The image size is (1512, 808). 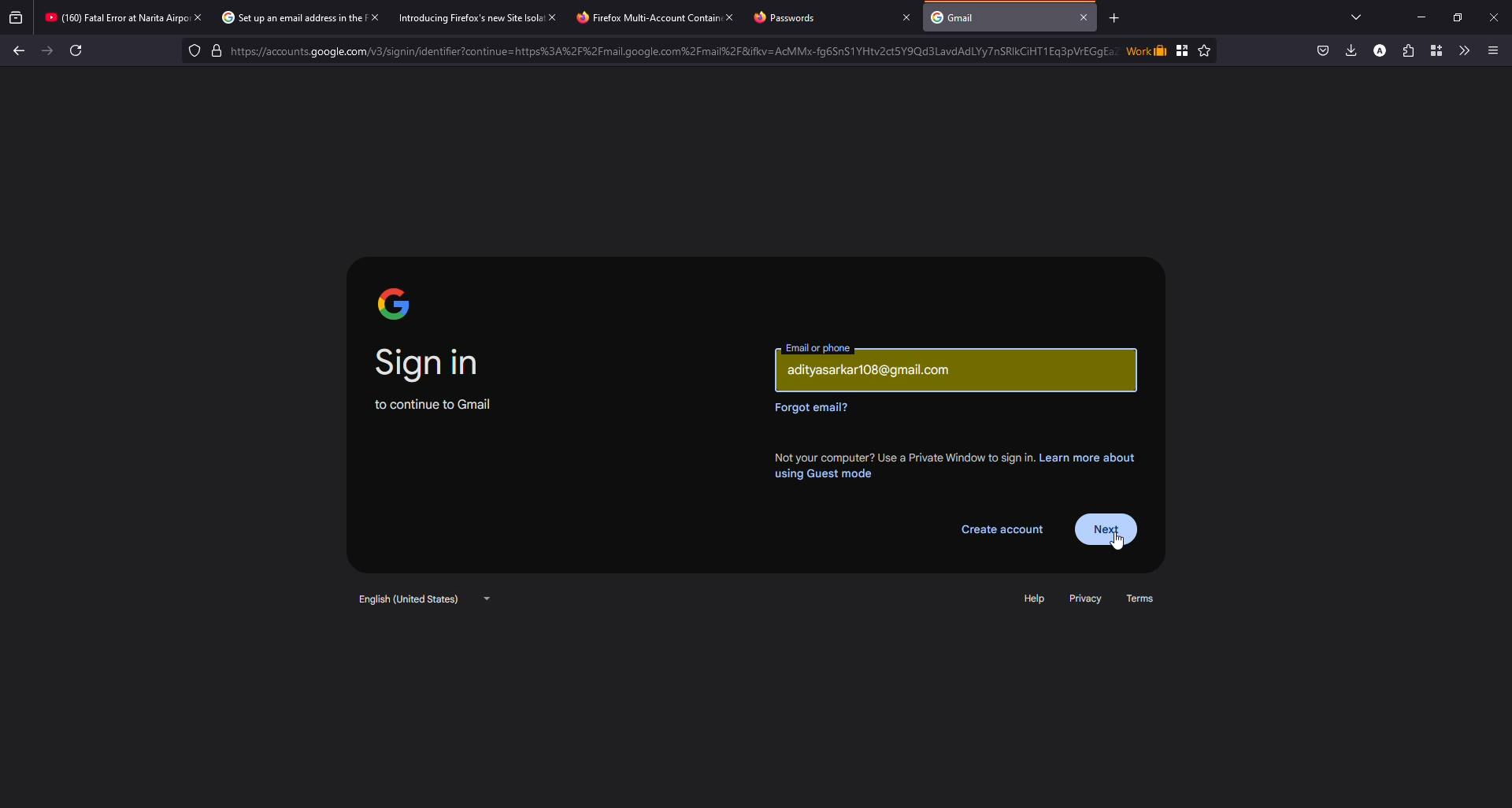 I want to click on More options, so click(x=1497, y=48).